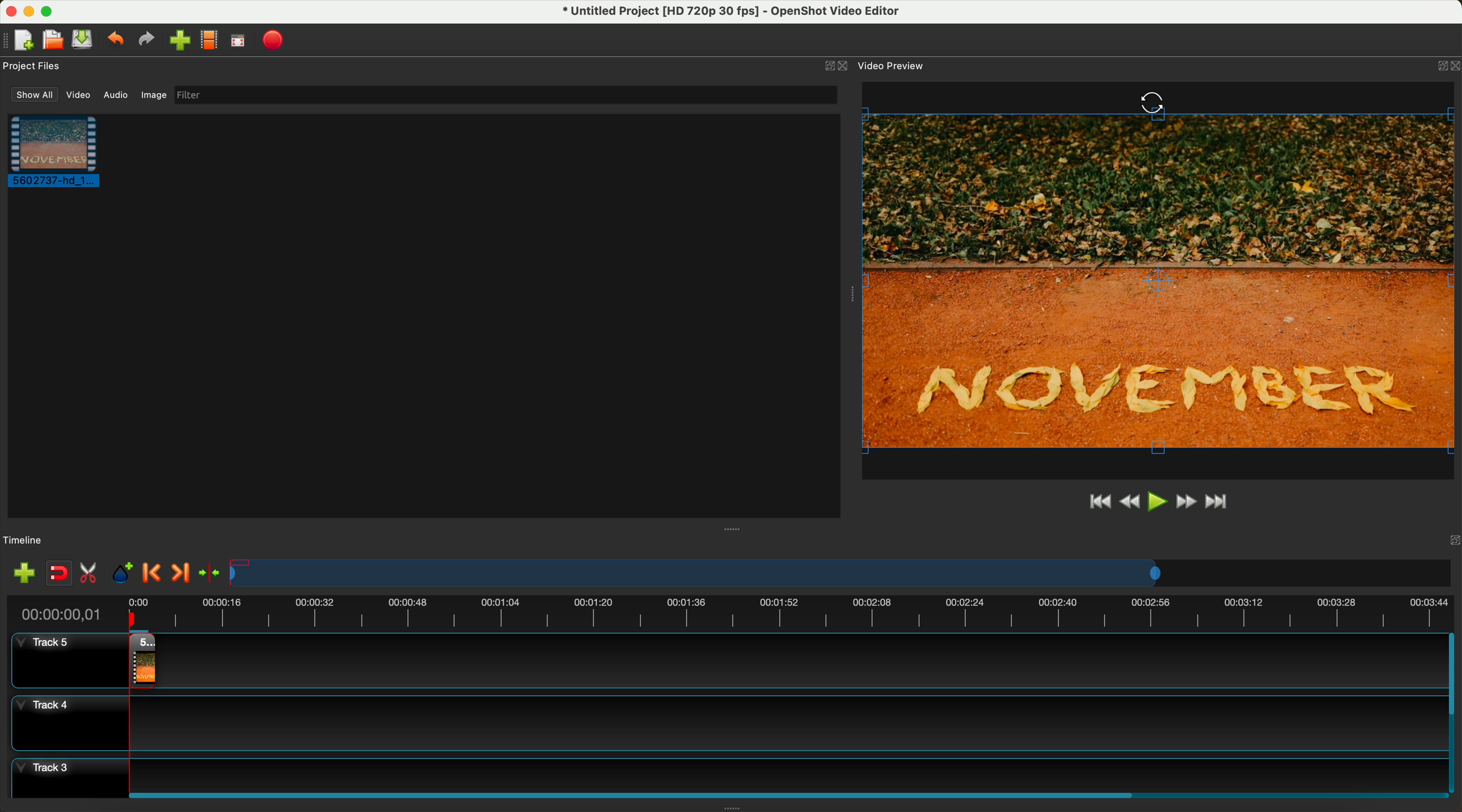 The width and height of the screenshot is (1462, 812). Describe the element at coordinates (140, 660) in the screenshot. I see `drag video to track 4` at that location.